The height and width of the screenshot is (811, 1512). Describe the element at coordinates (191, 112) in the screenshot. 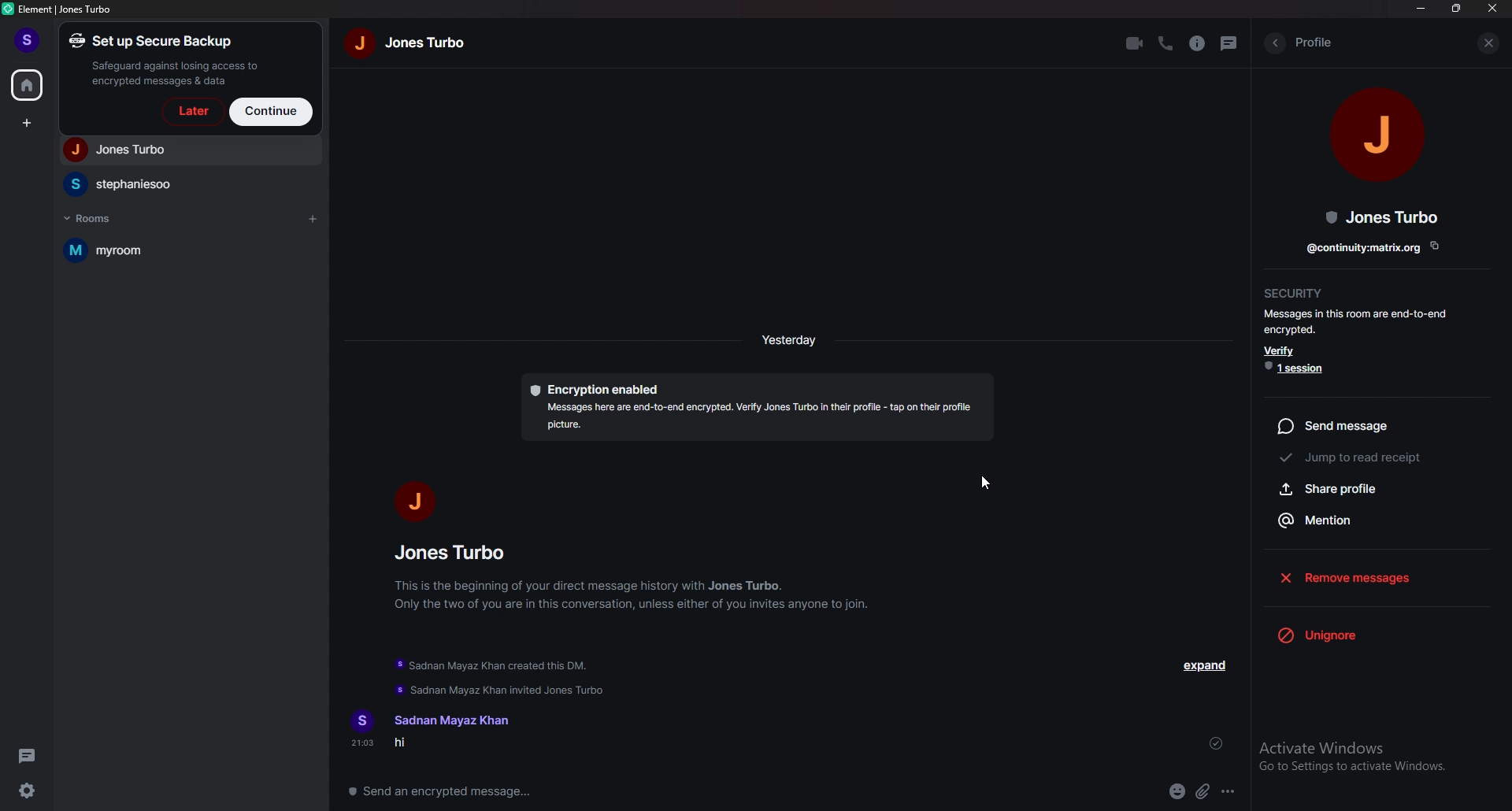

I see `later` at that location.